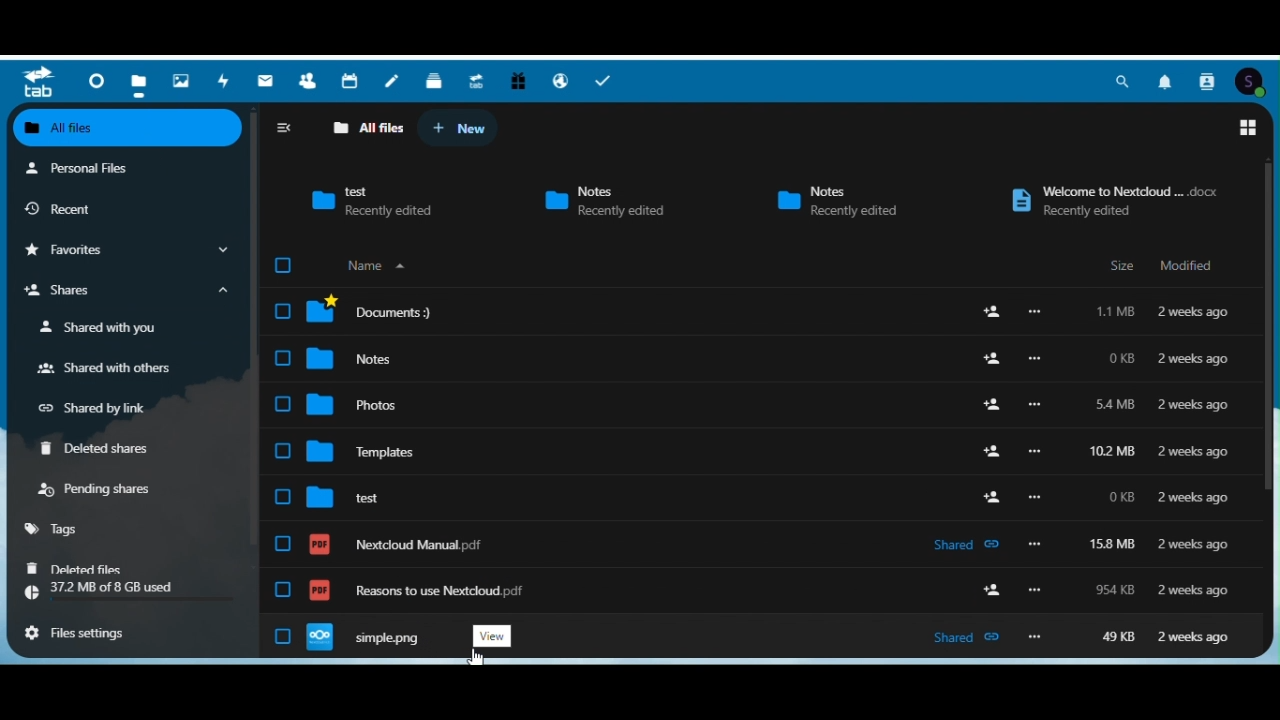  Describe the element at coordinates (1117, 267) in the screenshot. I see `Size` at that location.